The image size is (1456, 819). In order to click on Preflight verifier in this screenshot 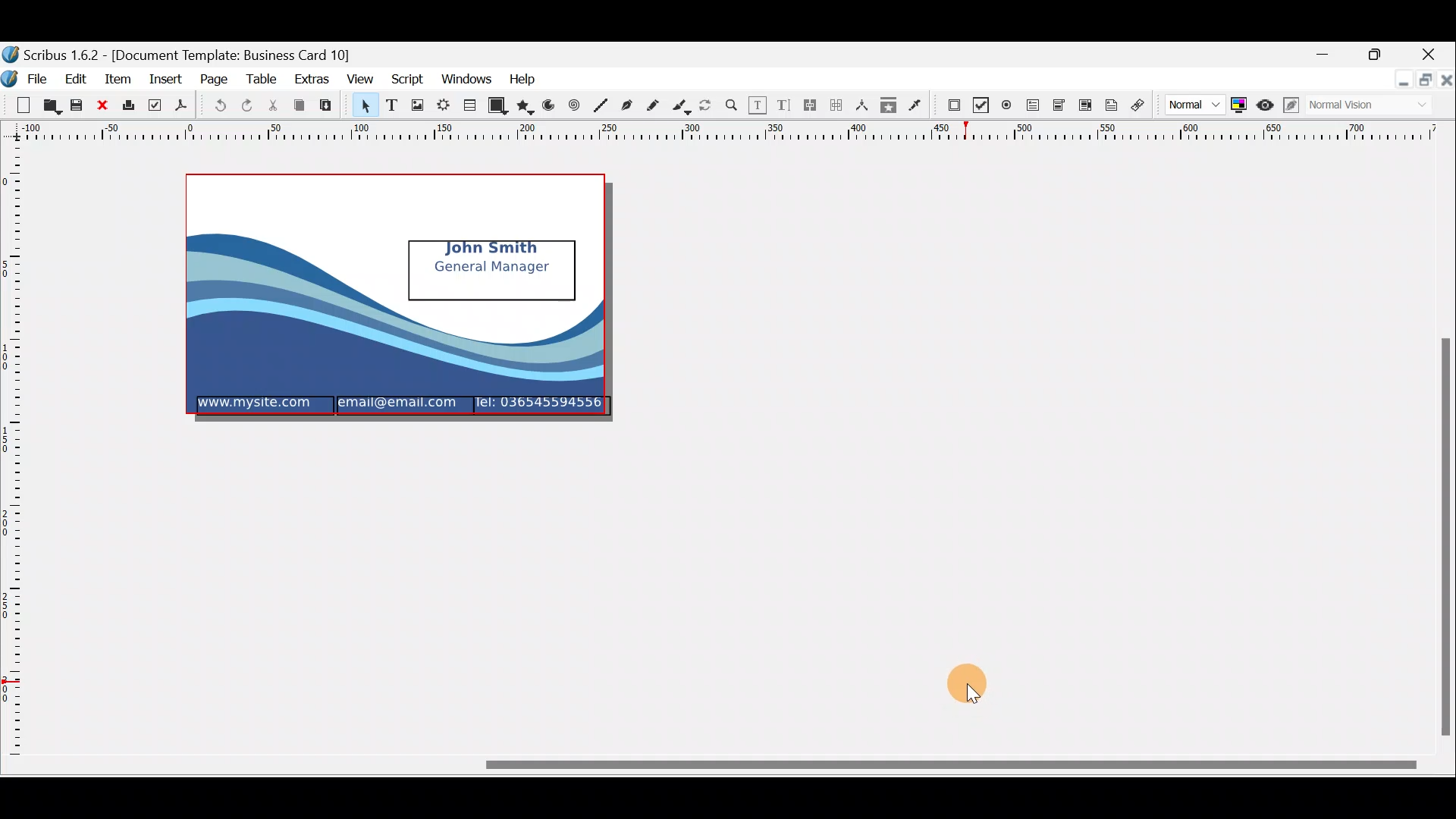, I will do `click(152, 105)`.